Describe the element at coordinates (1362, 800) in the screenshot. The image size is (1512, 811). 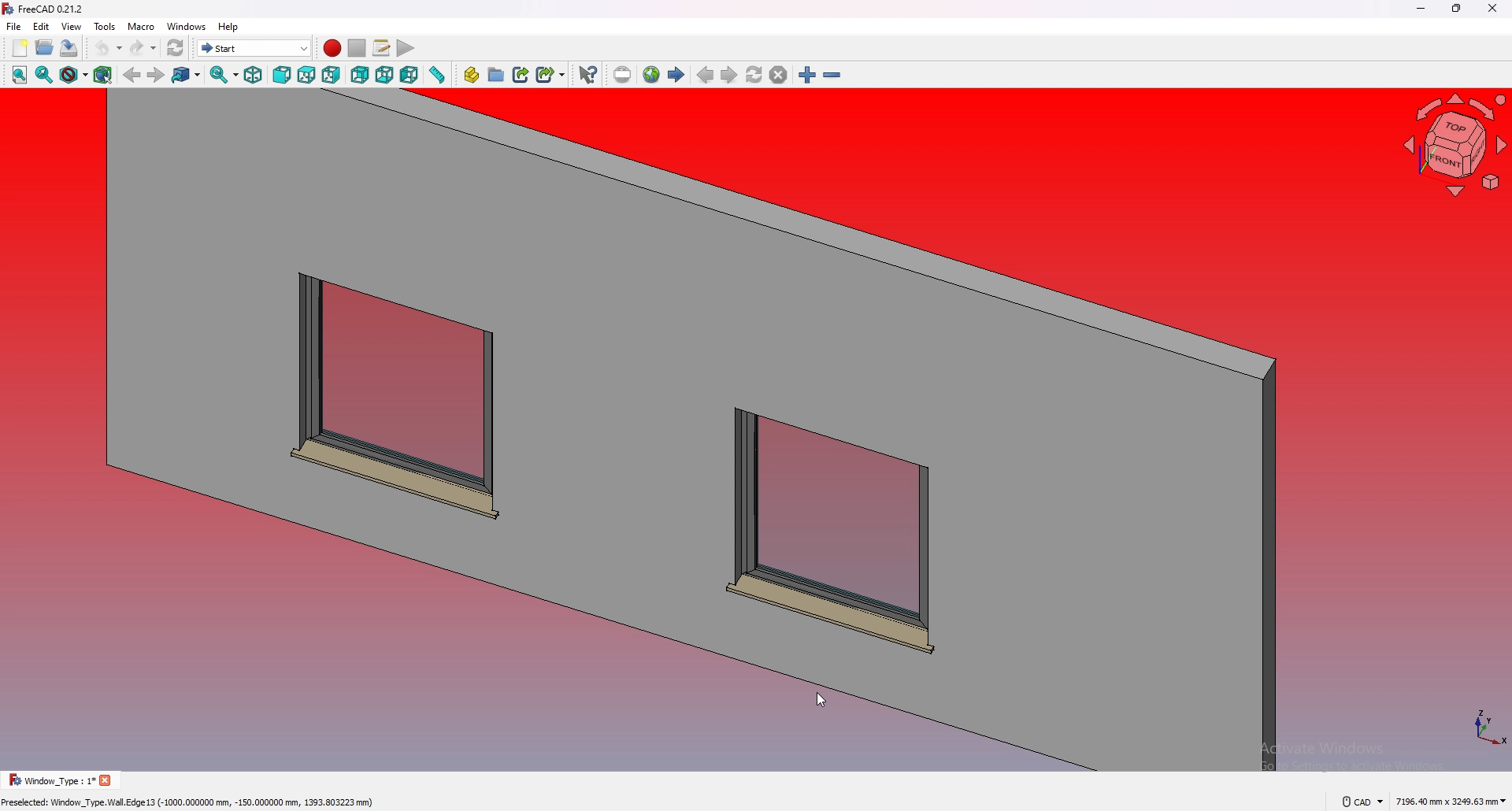
I see `cad` at that location.